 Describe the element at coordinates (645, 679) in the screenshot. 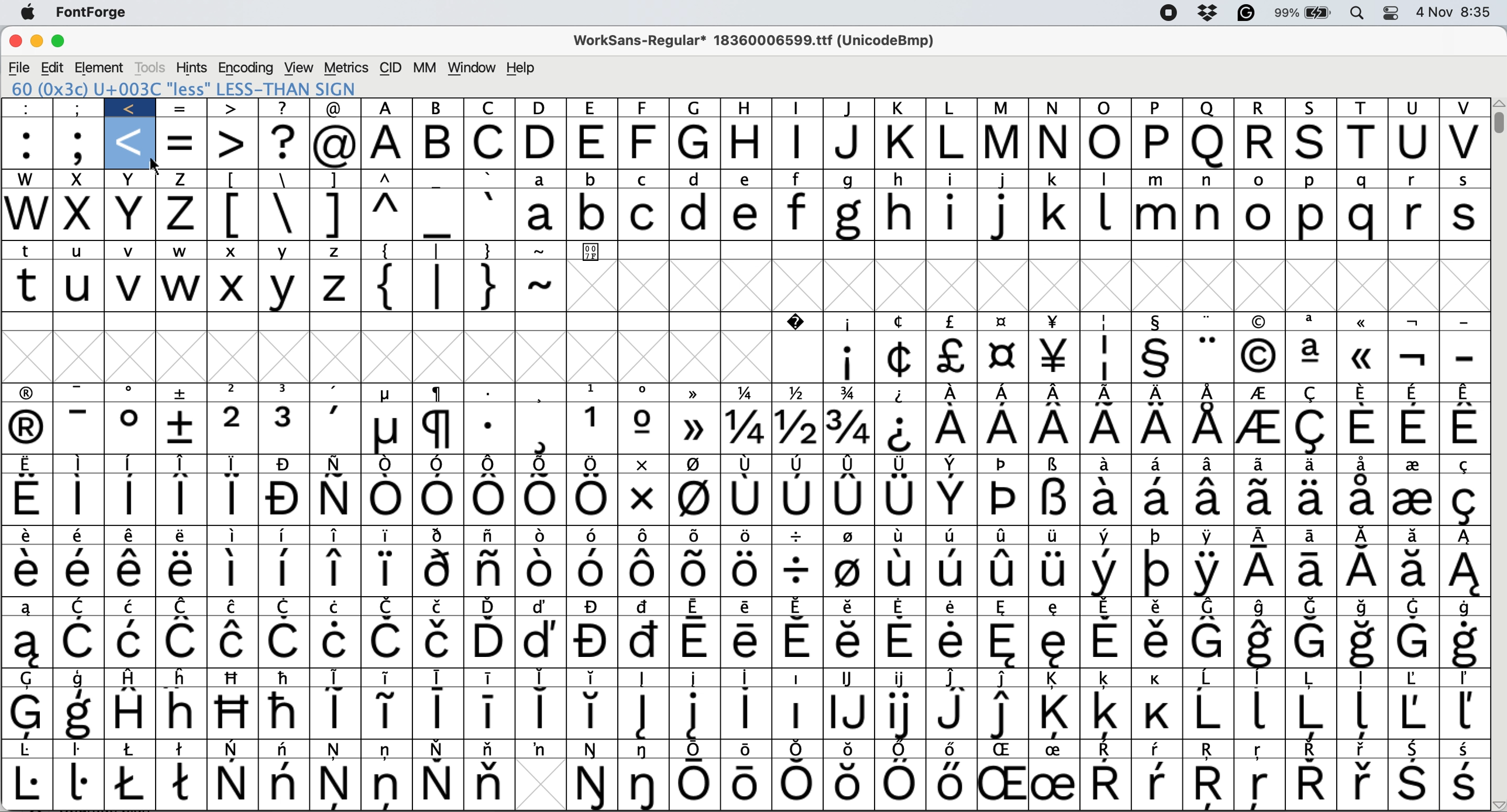

I see `Symbol` at that location.